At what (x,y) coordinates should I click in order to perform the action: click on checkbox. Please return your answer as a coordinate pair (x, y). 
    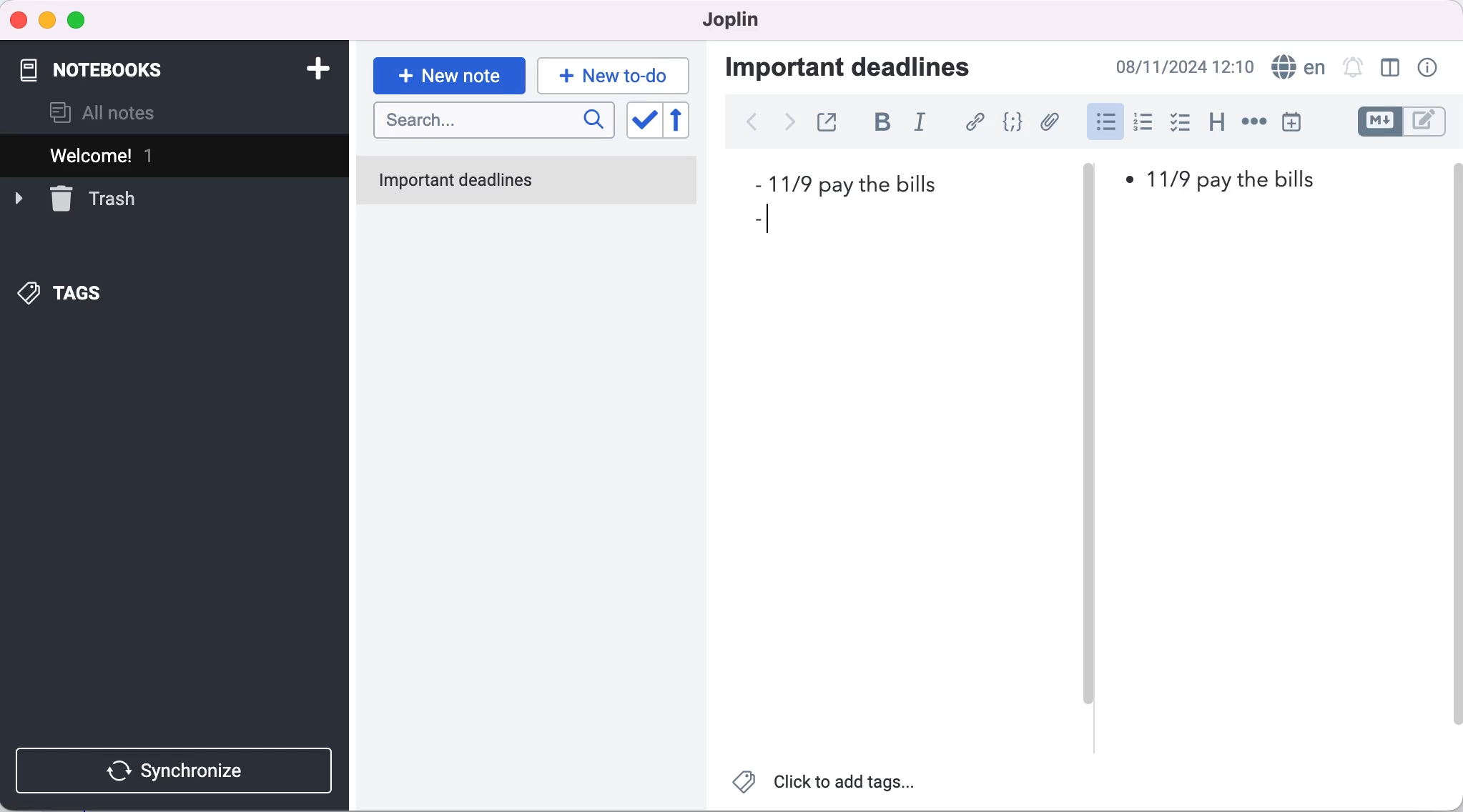
    Looking at the image, I should click on (1181, 124).